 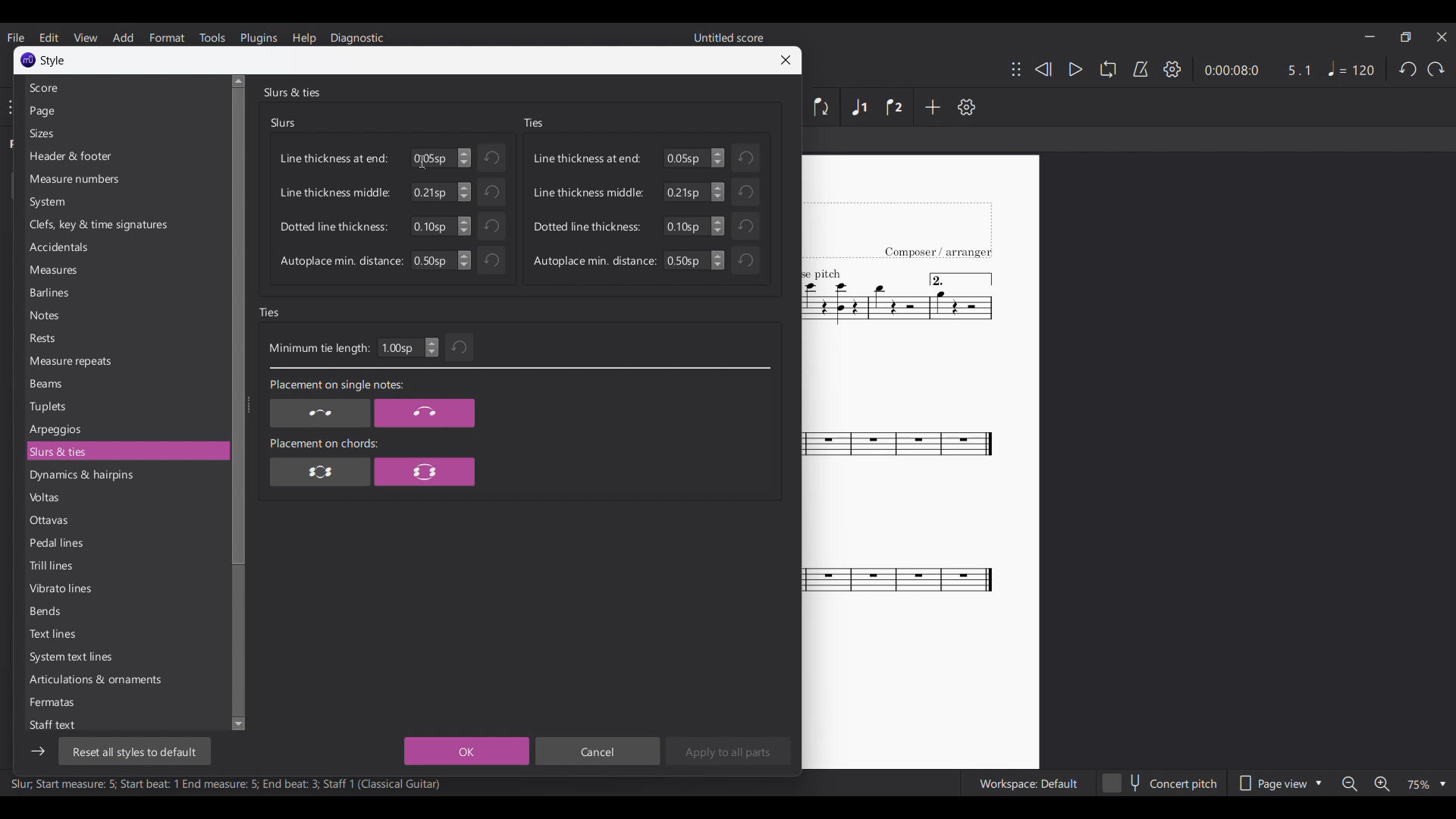 I want to click on Change width of side panel, so click(x=248, y=404).